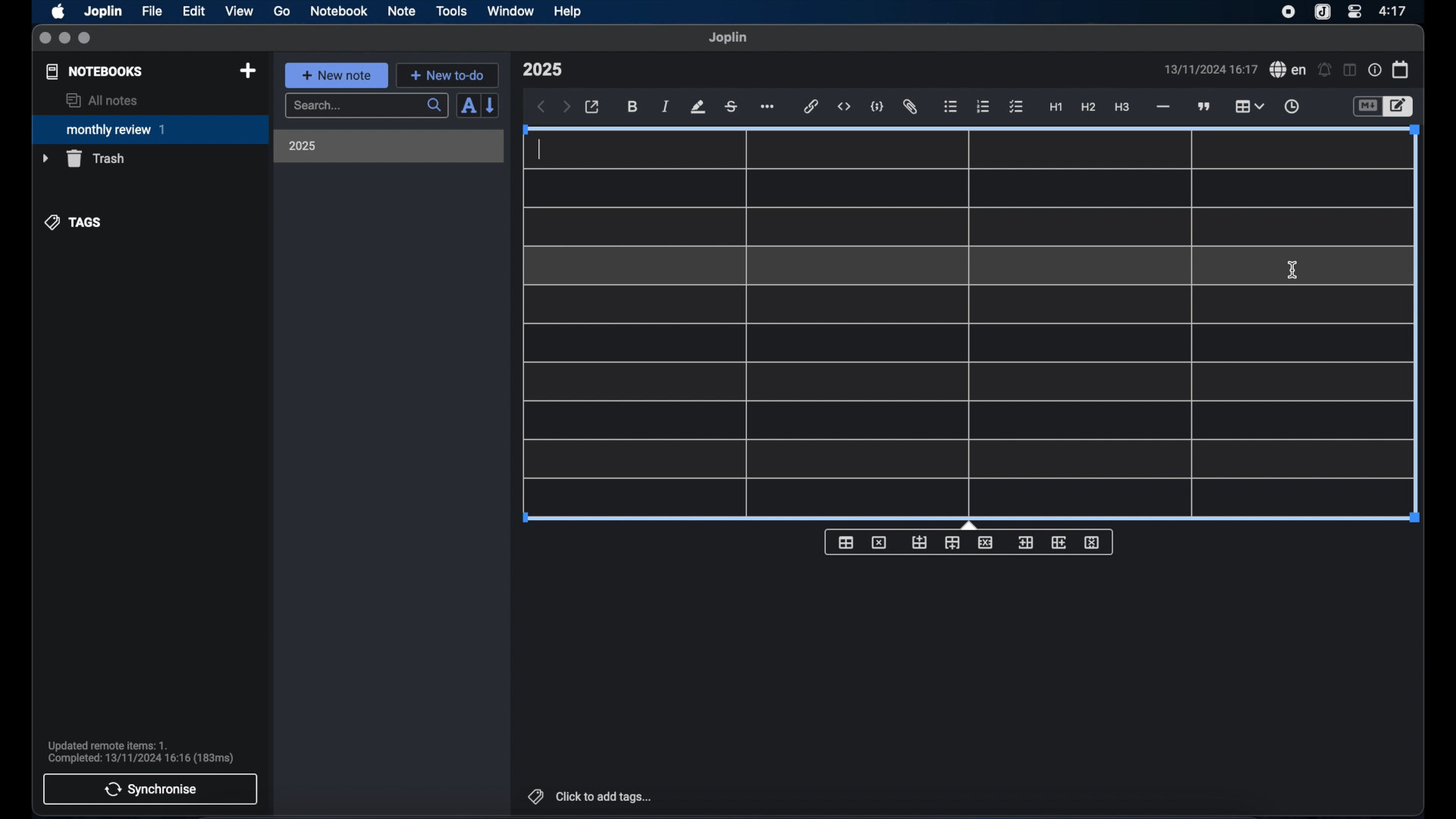 The image size is (1456, 819). What do you see at coordinates (1210, 69) in the screenshot?
I see `date` at bounding box center [1210, 69].